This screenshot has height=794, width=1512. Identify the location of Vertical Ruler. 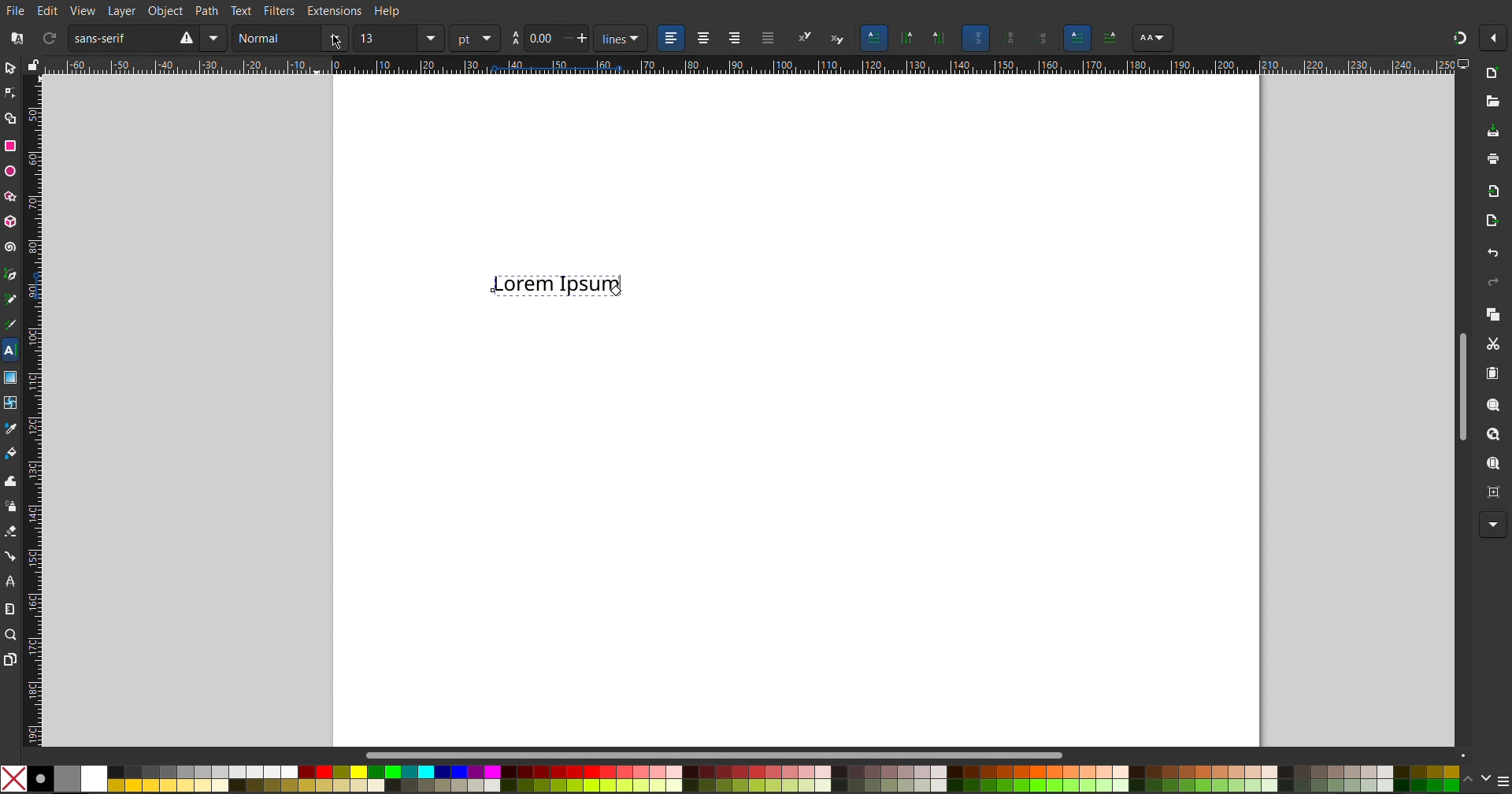
(32, 407).